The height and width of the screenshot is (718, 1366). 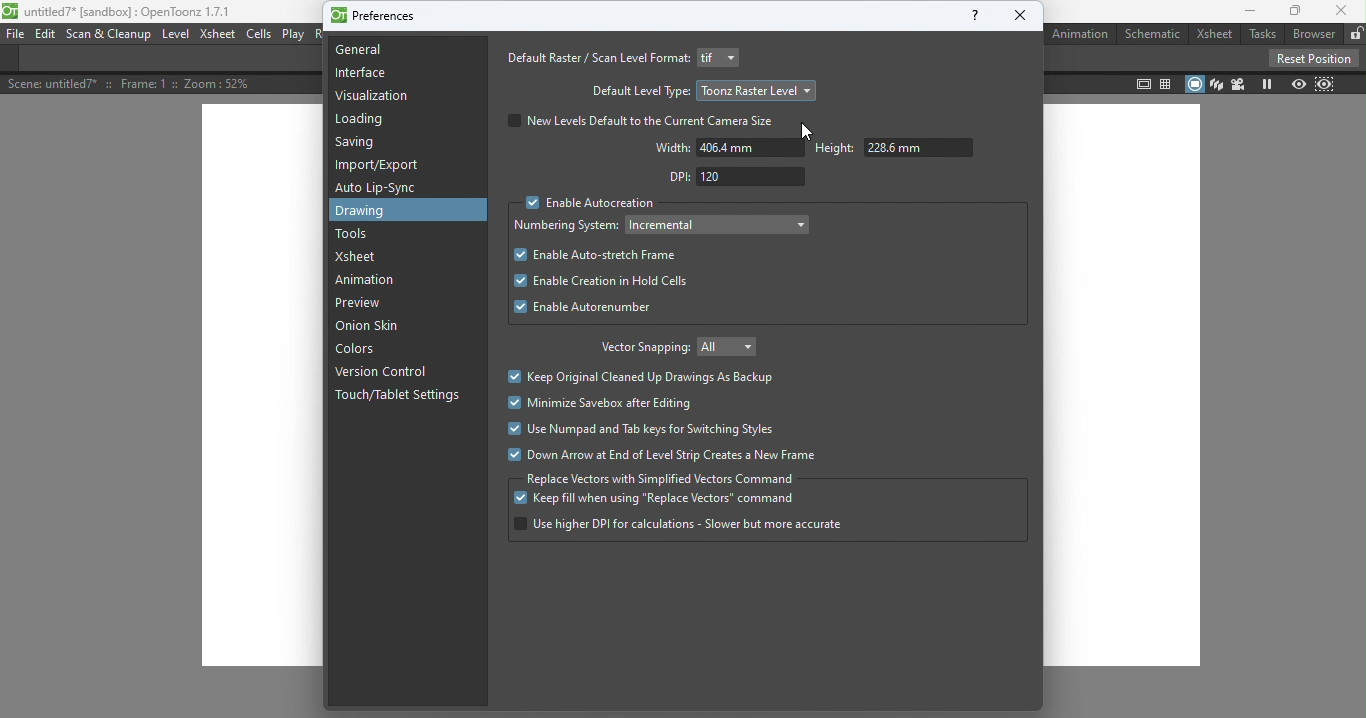 I want to click on Replace vectors with simplified vectors command, so click(x=662, y=478).